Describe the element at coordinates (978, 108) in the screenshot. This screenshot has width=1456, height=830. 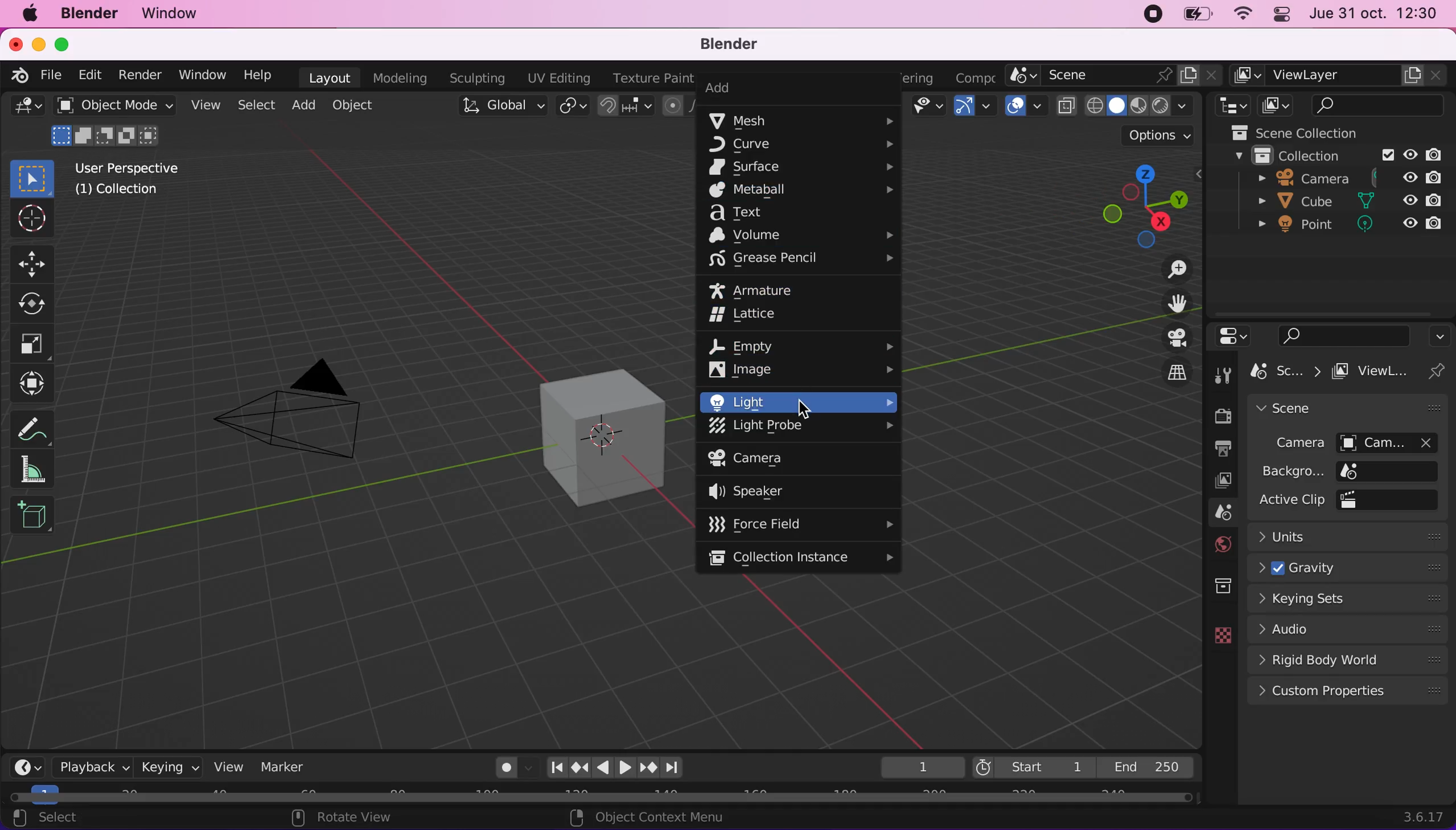
I see `gizmos` at that location.